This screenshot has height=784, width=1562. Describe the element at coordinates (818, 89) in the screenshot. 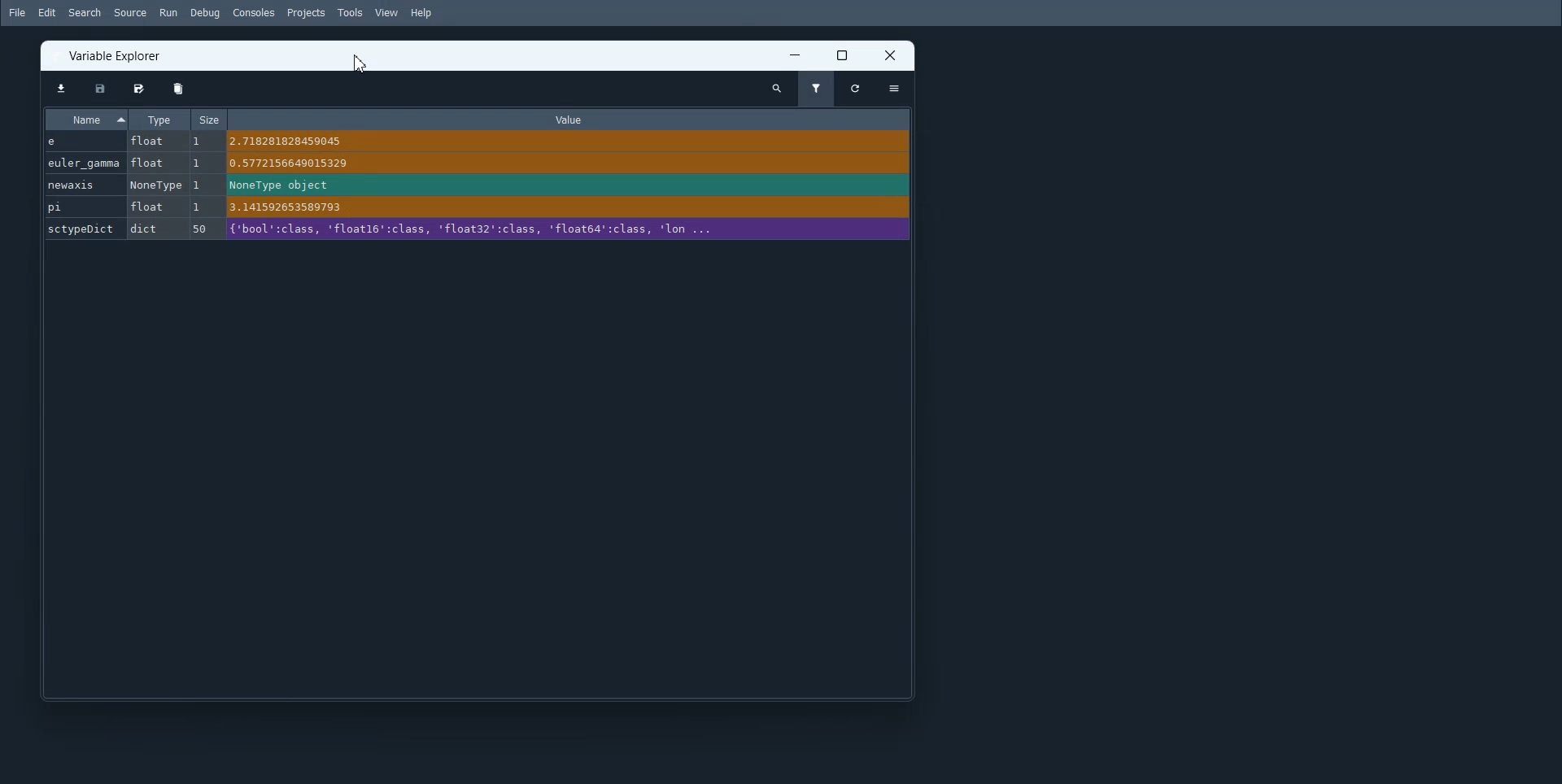

I see `Filter Variables` at that location.